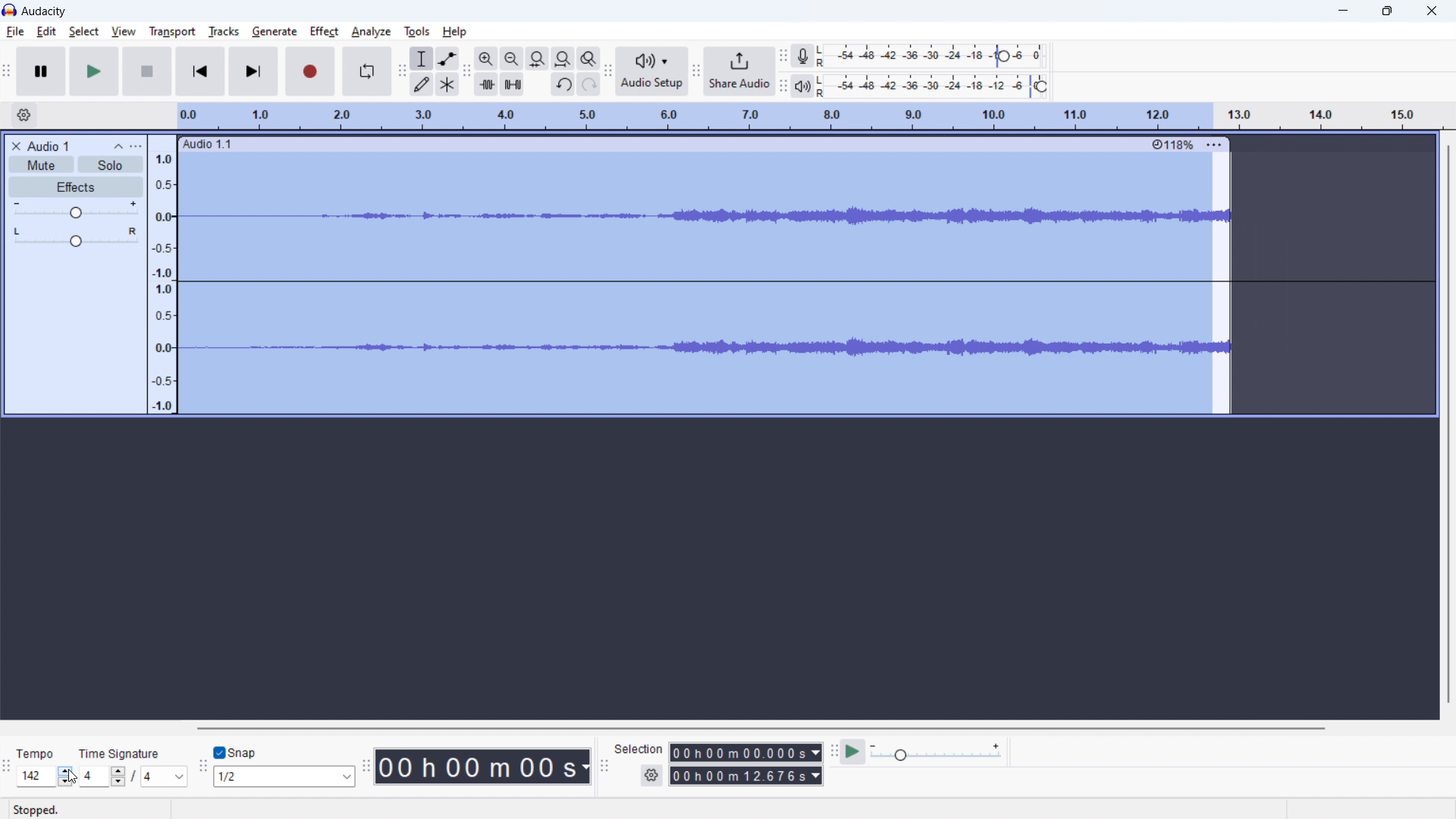 The height and width of the screenshot is (819, 1456). Describe the element at coordinates (563, 84) in the screenshot. I see `undo` at that location.